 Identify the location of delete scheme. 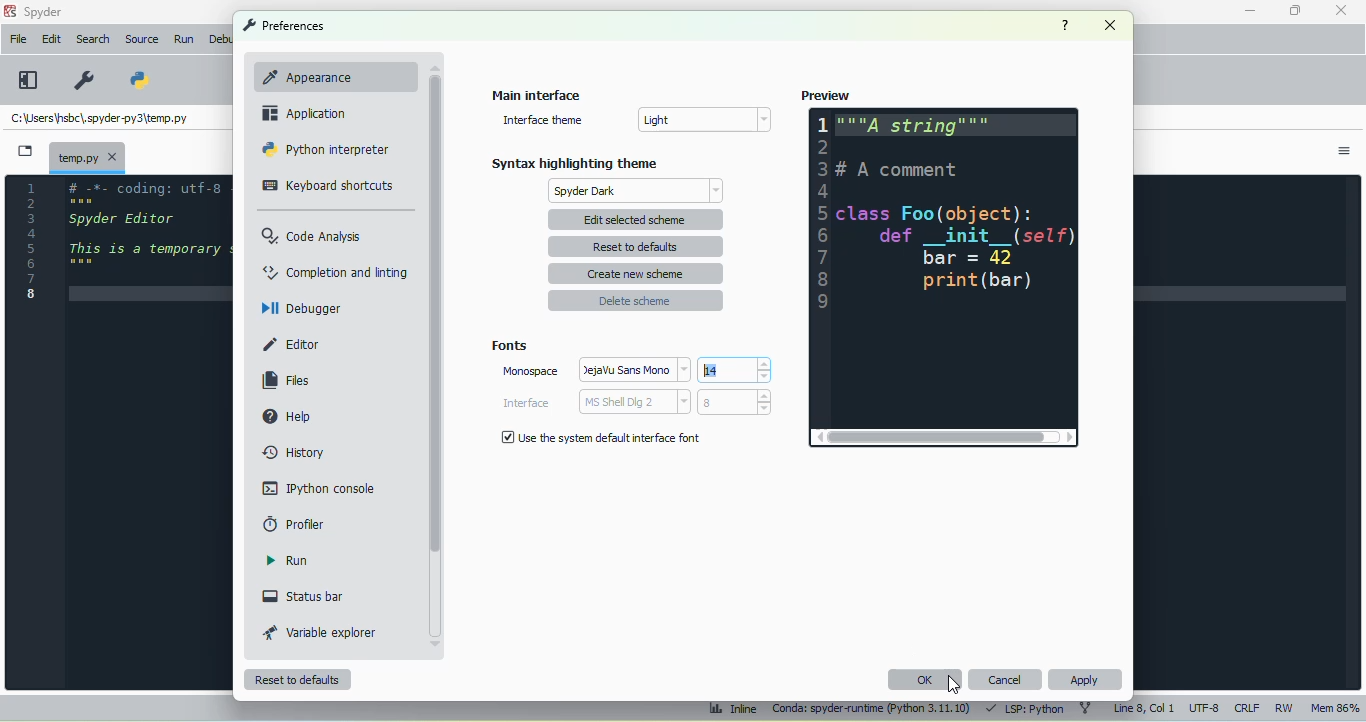
(635, 300).